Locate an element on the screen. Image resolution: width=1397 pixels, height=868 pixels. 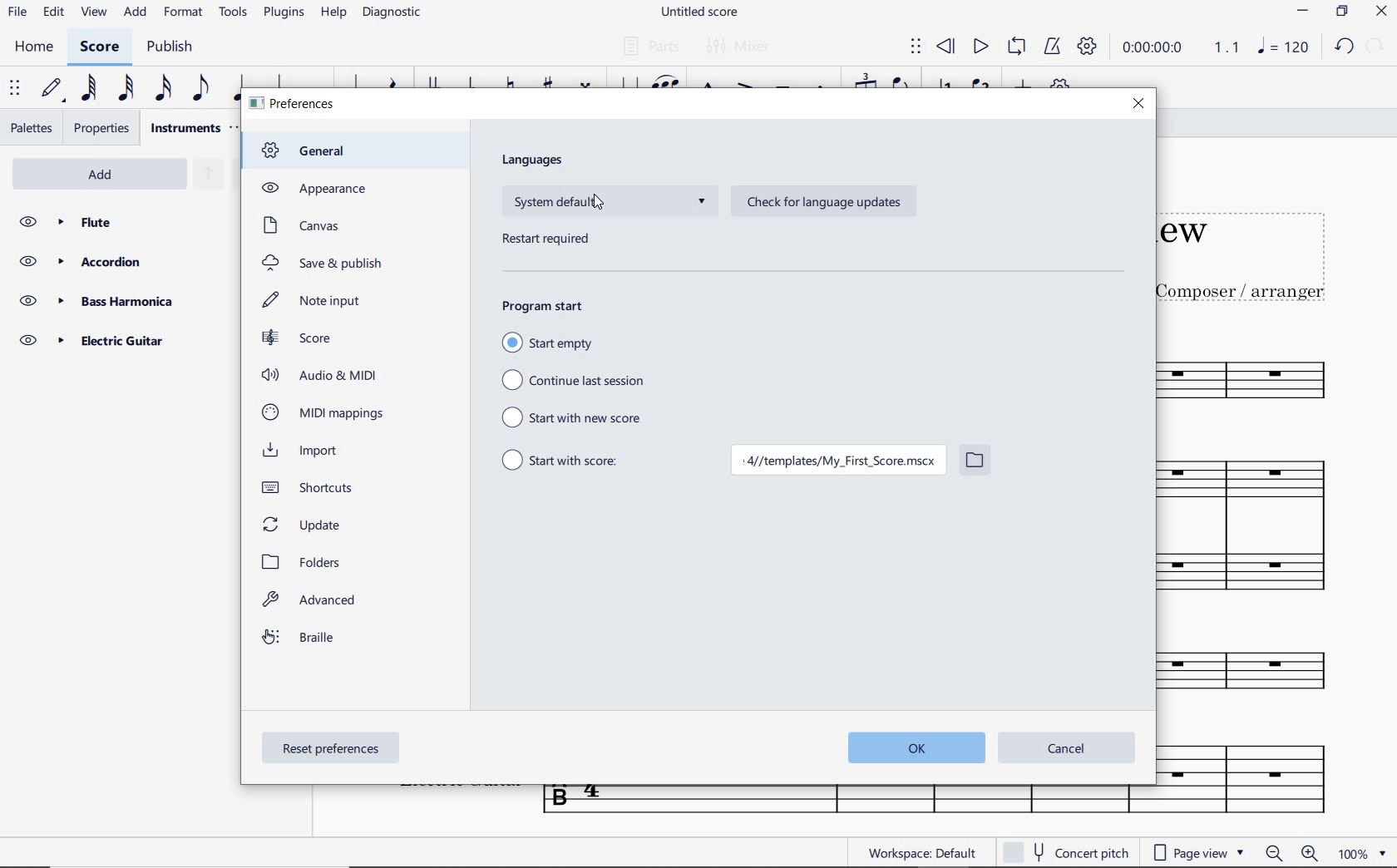
palettes is located at coordinates (33, 126).